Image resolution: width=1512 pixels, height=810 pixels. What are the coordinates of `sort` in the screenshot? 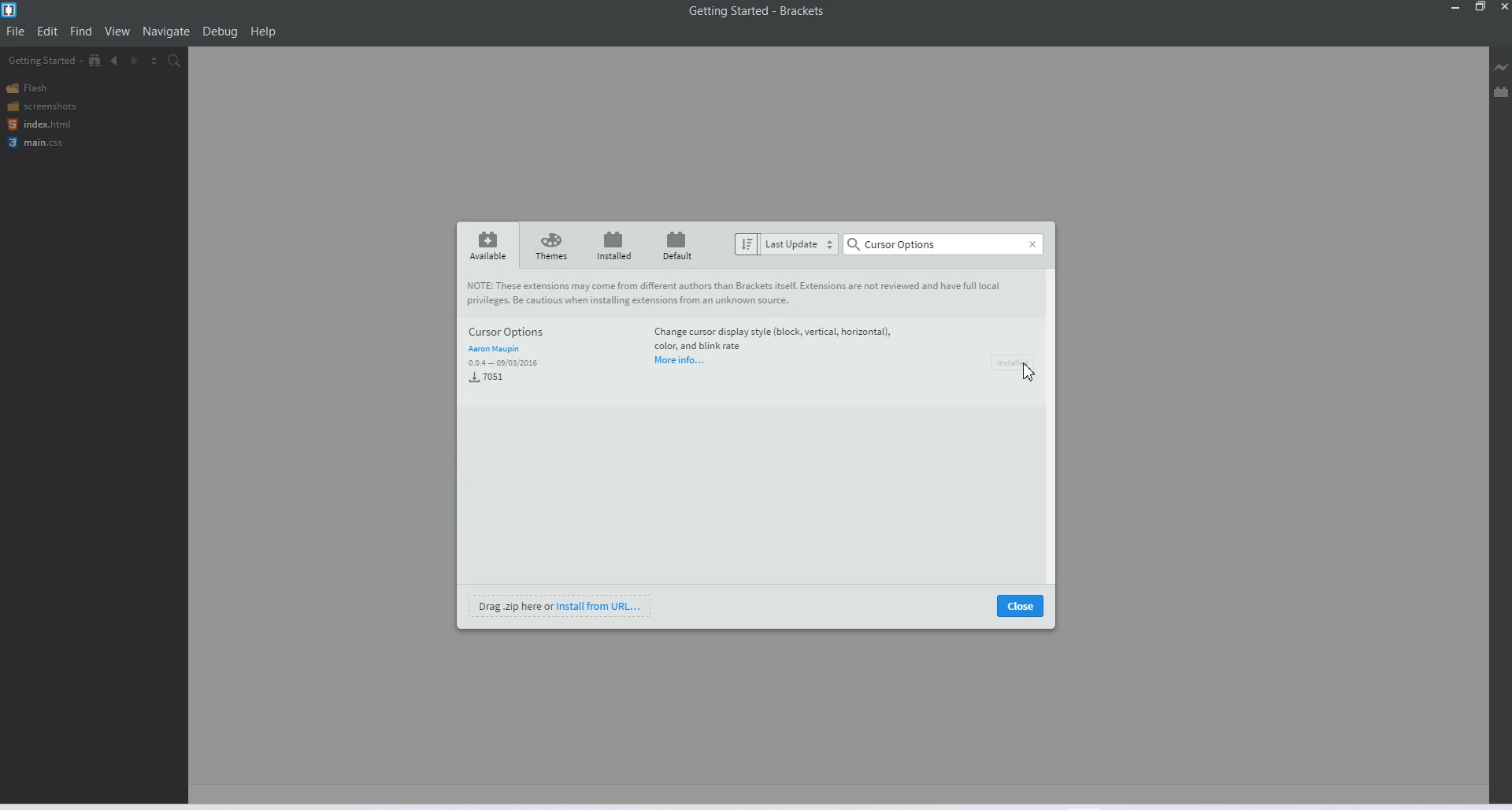 It's located at (747, 245).